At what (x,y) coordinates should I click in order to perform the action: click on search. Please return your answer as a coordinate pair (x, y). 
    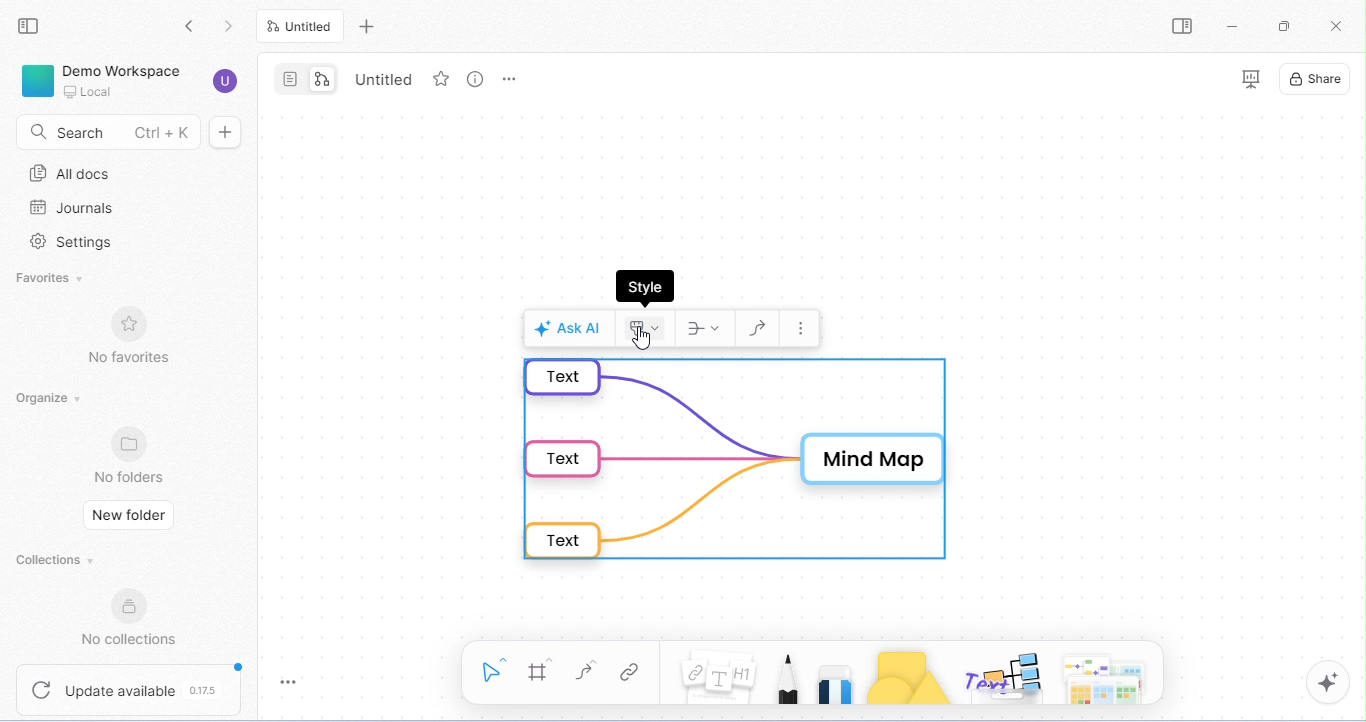
    Looking at the image, I should click on (104, 130).